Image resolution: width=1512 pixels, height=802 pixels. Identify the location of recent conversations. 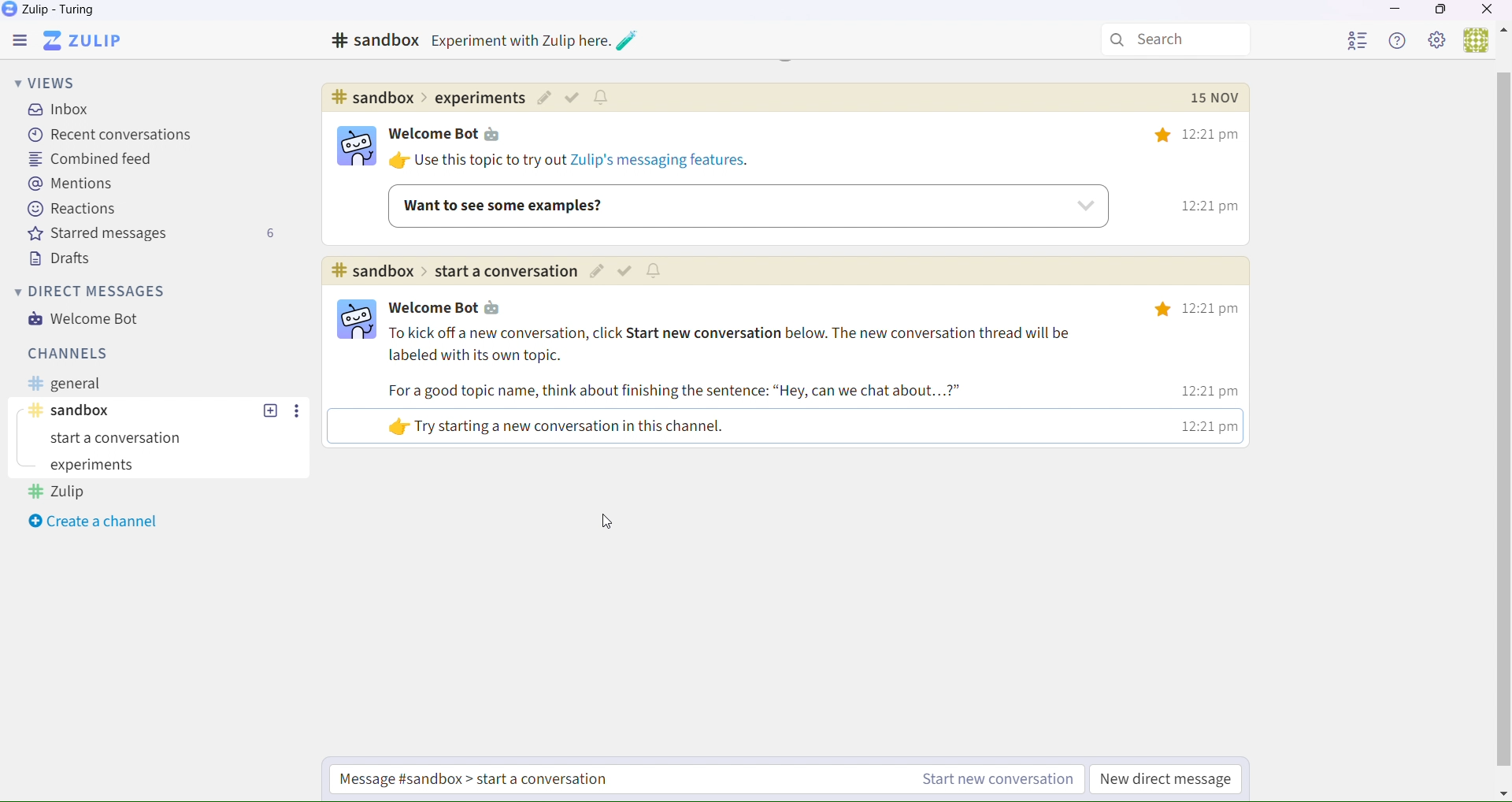
(110, 135).